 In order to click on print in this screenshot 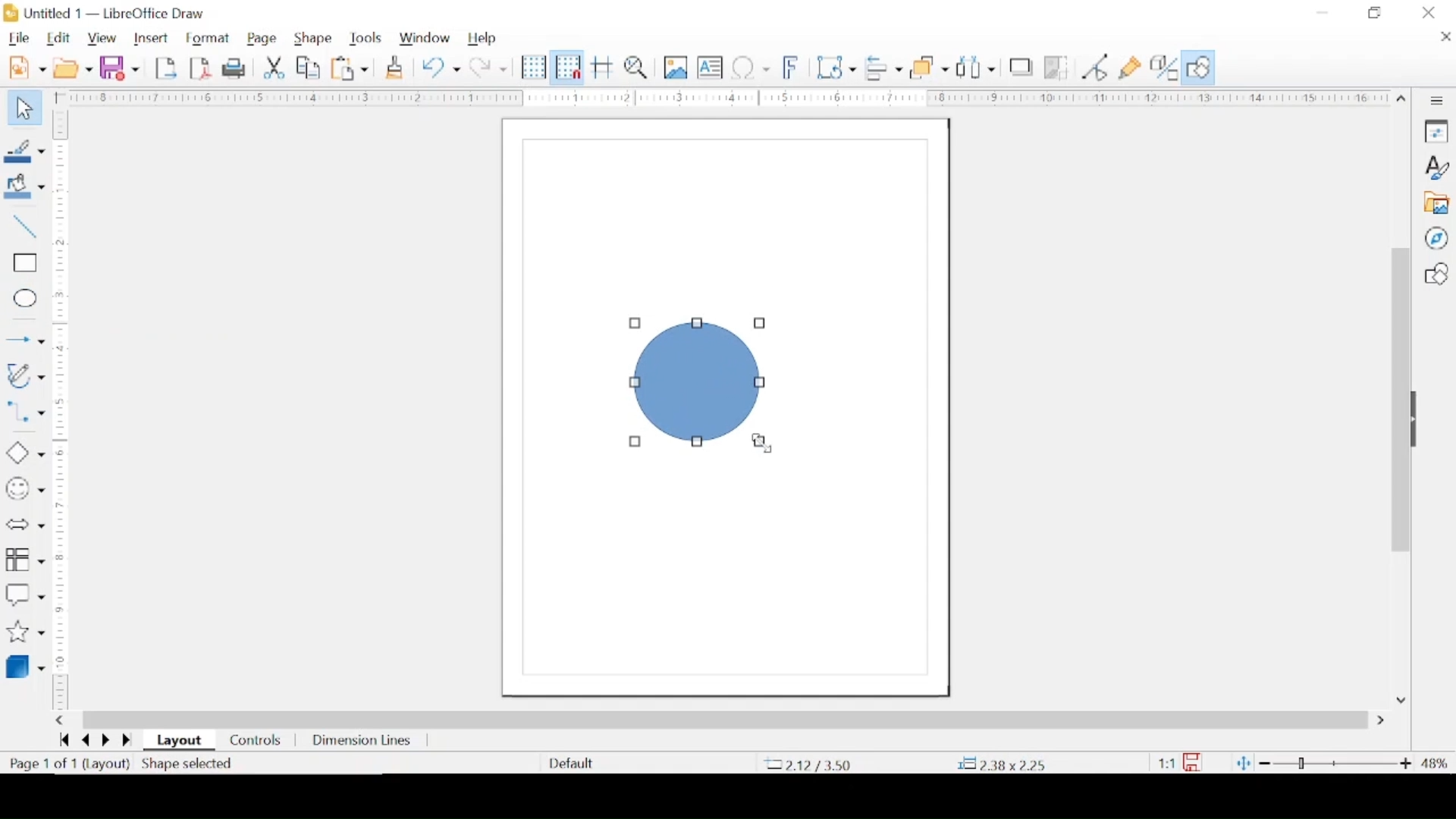, I will do `click(234, 69)`.